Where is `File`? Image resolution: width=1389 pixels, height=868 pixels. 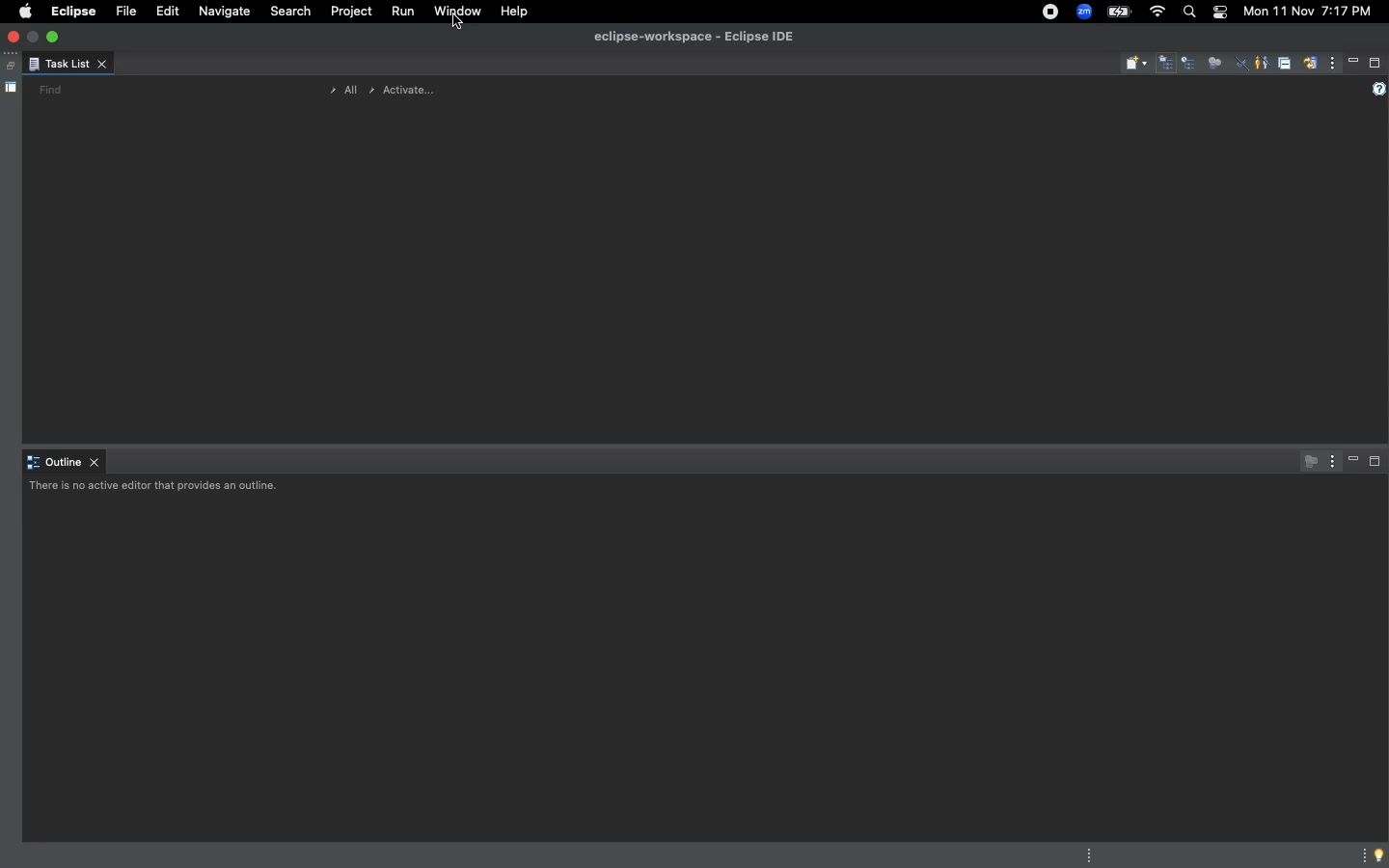
File is located at coordinates (123, 13).